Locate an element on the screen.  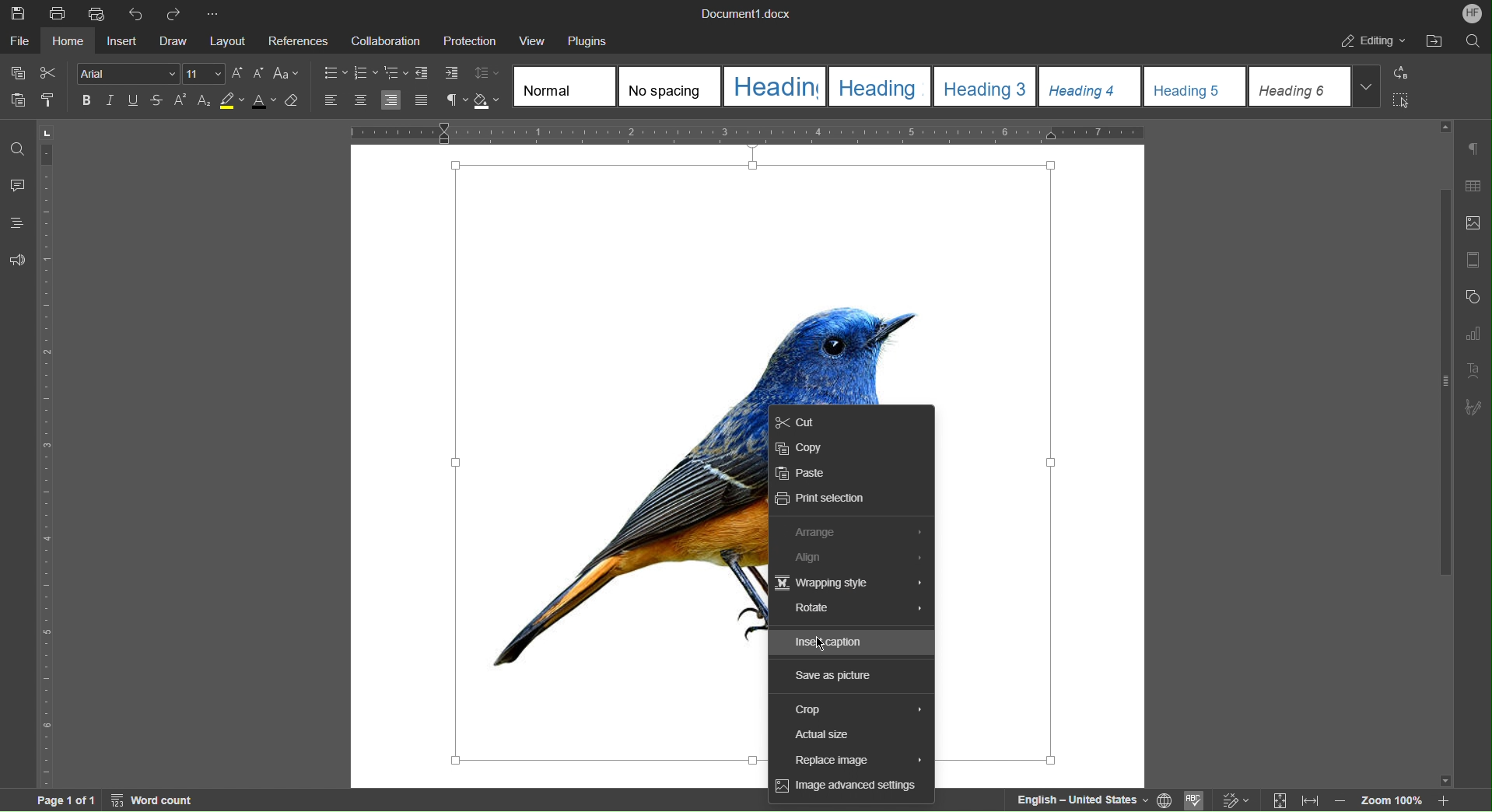
Heading 6 is located at coordinates (1298, 86).